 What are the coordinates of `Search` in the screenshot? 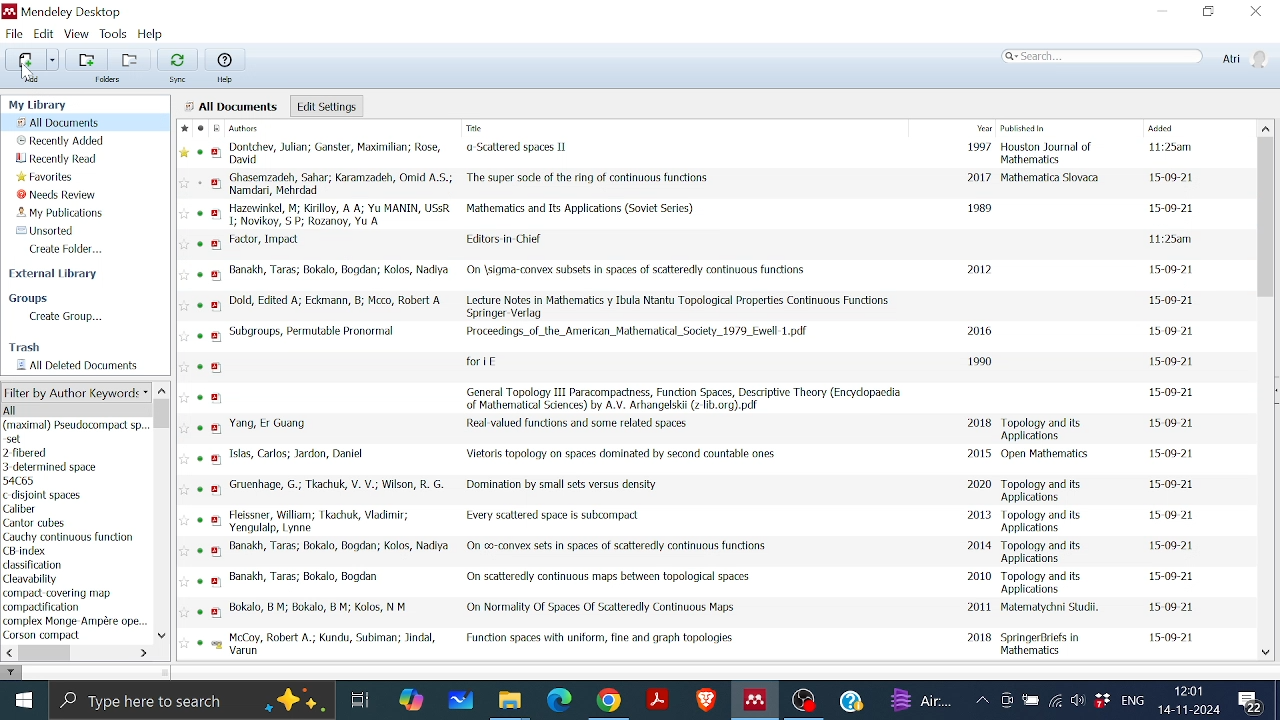 It's located at (1102, 55).